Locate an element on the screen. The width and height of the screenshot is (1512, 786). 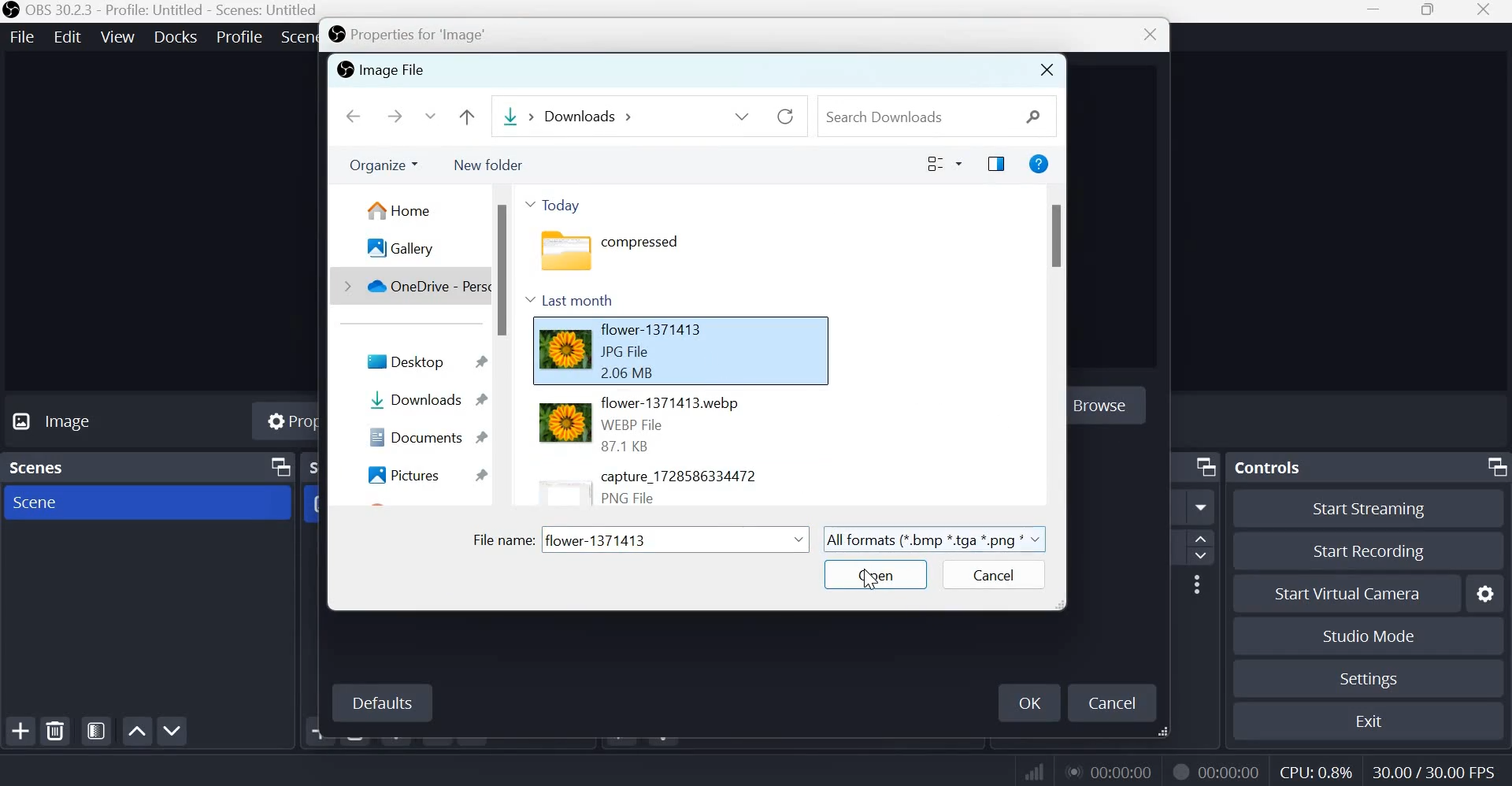
scrollbar is located at coordinates (503, 346).